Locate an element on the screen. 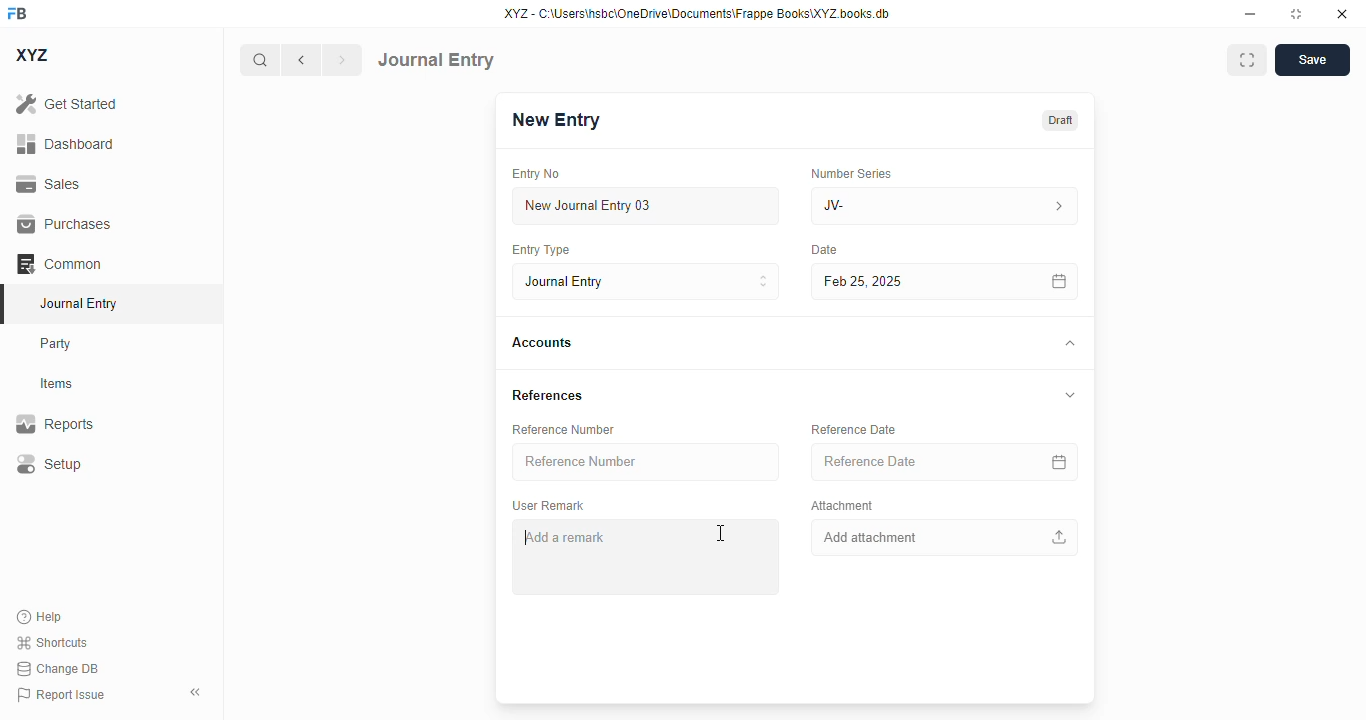 The width and height of the screenshot is (1366, 720). entry no is located at coordinates (536, 174).